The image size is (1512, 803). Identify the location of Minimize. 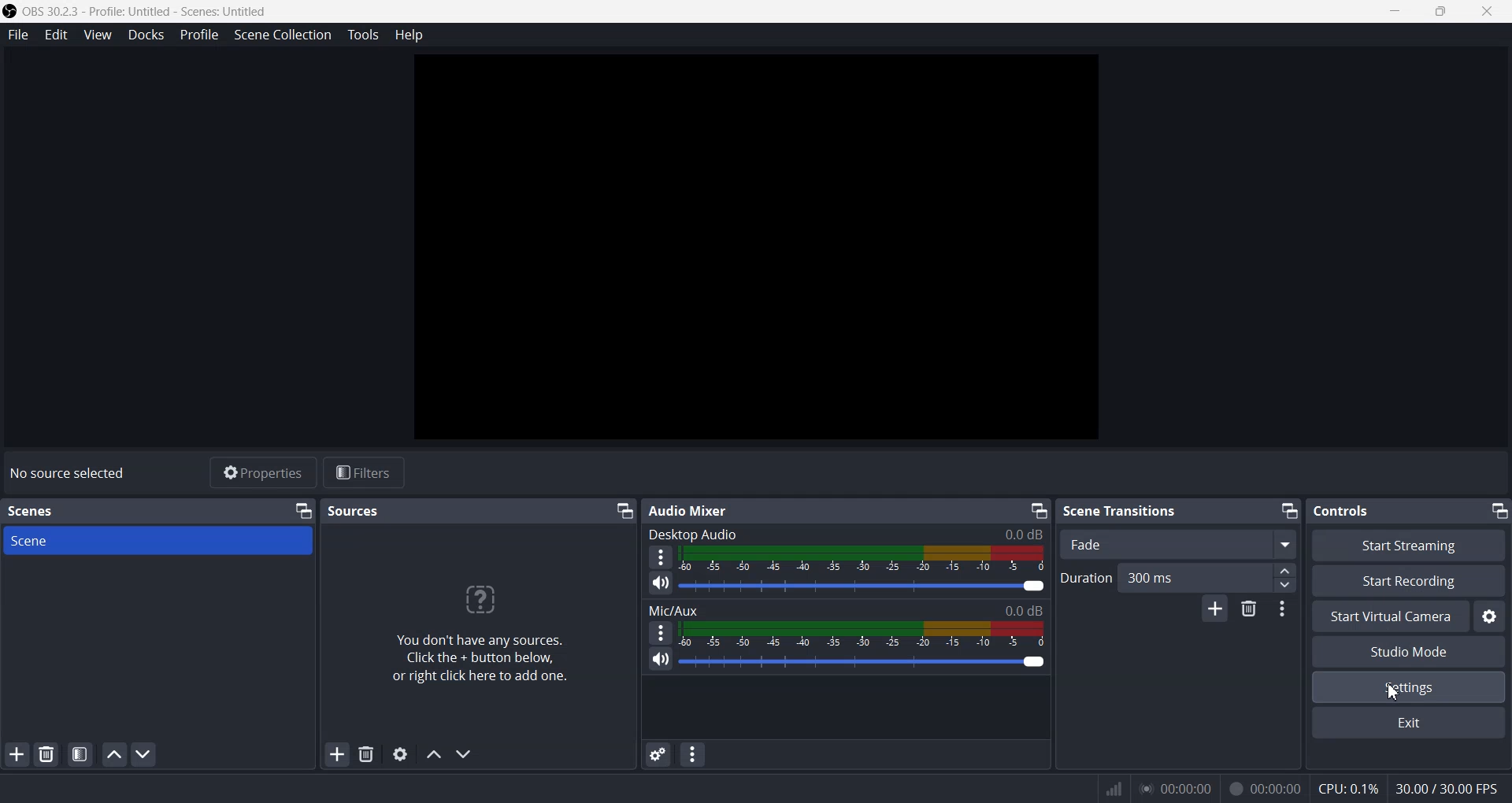
(624, 511).